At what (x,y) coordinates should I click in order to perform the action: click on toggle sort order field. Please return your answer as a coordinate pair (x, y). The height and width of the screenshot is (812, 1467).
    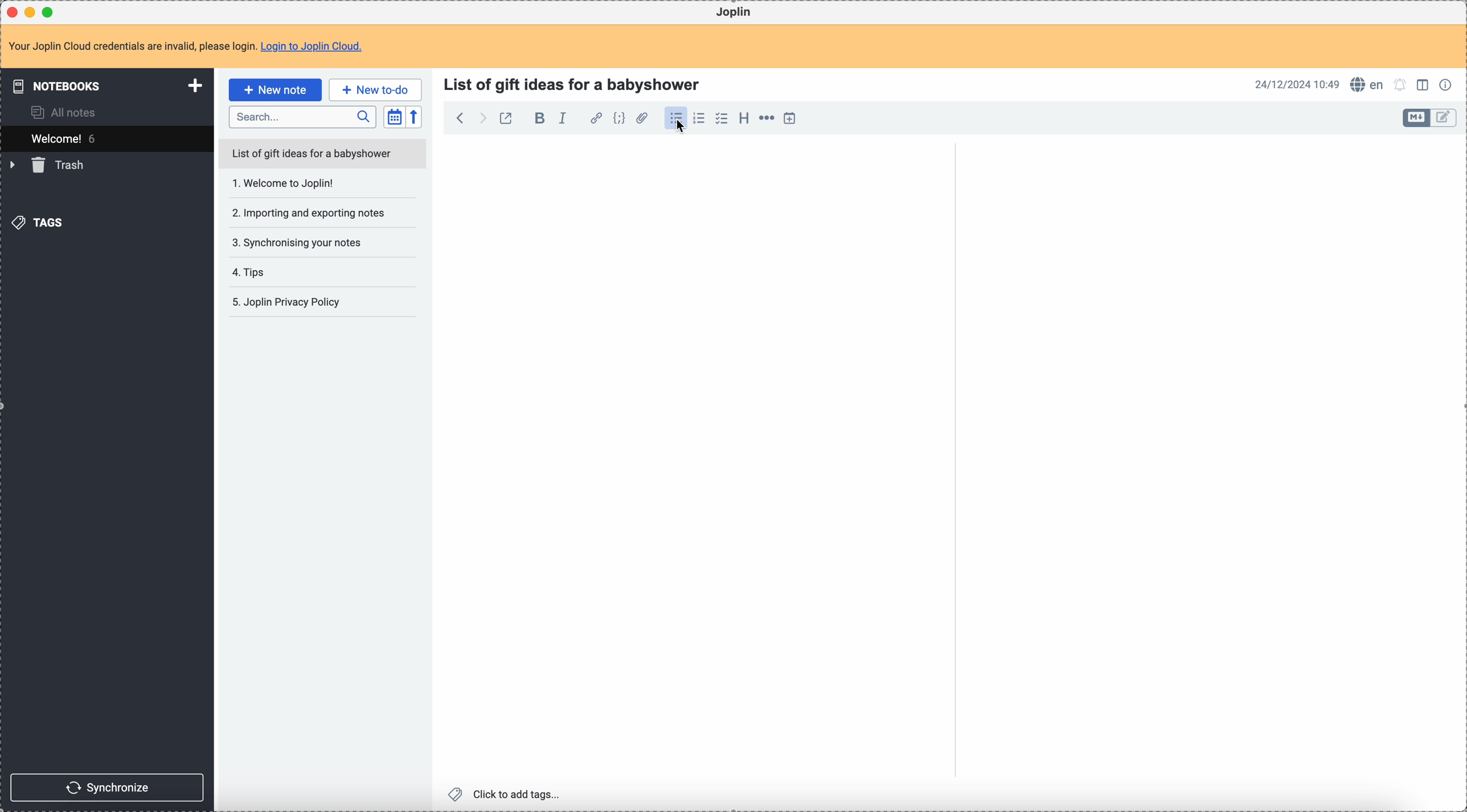
    Looking at the image, I should click on (394, 117).